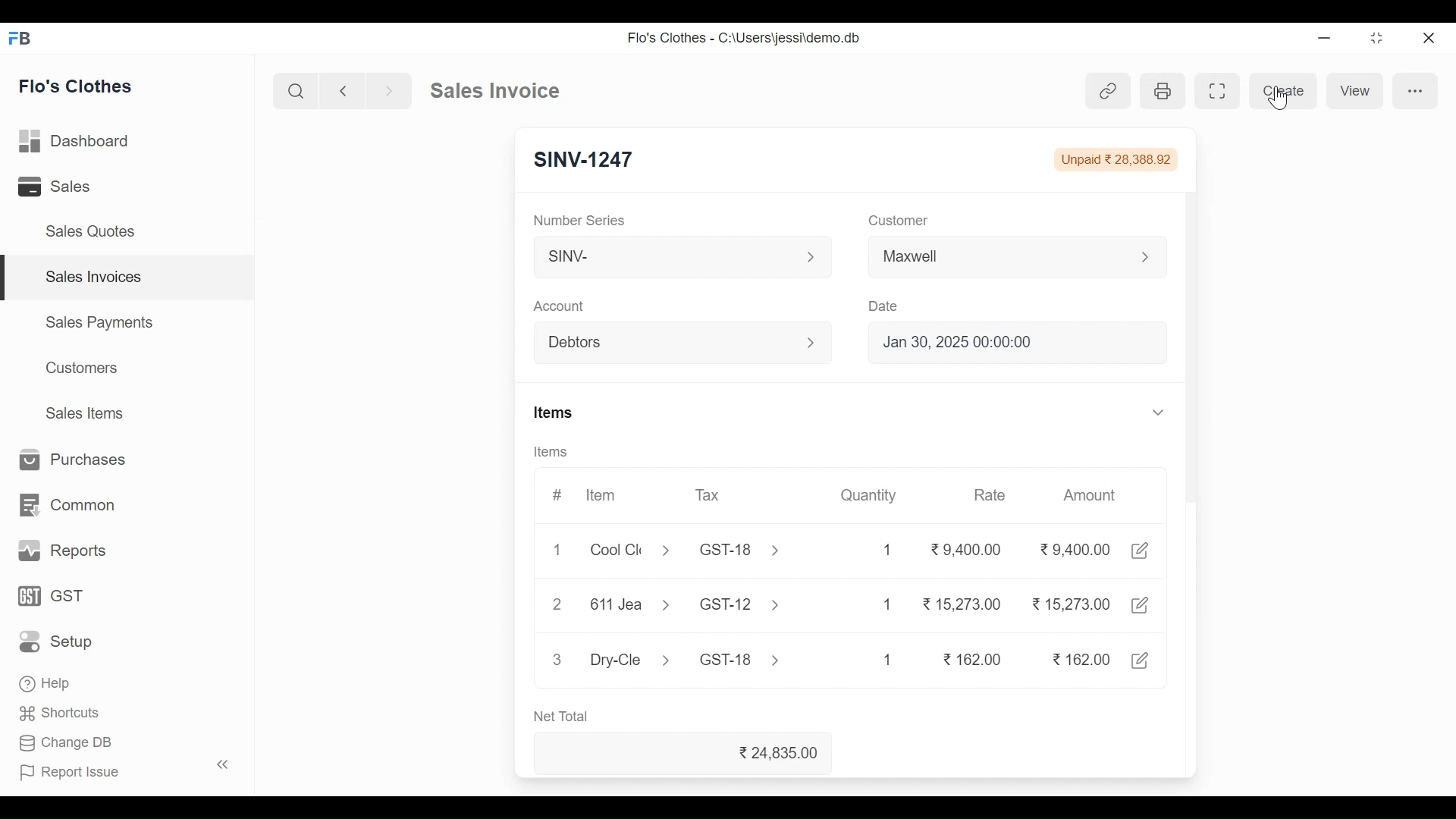 This screenshot has height=819, width=1456. I want to click on 611Jea > GST-12 >, so click(688, 605).